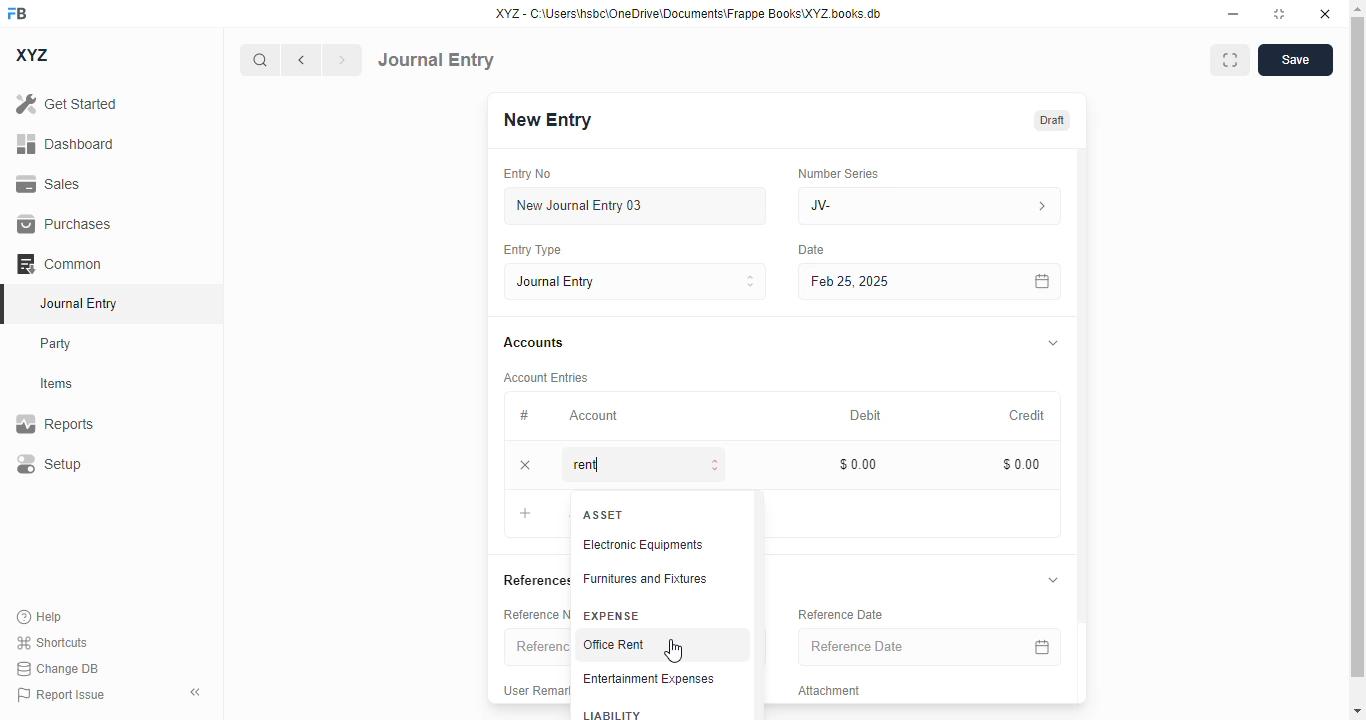 The image size is (1366, 720). Describe the element at coordinates (634, 206) in the screenshot. I see `new journal entry 03` at that location.